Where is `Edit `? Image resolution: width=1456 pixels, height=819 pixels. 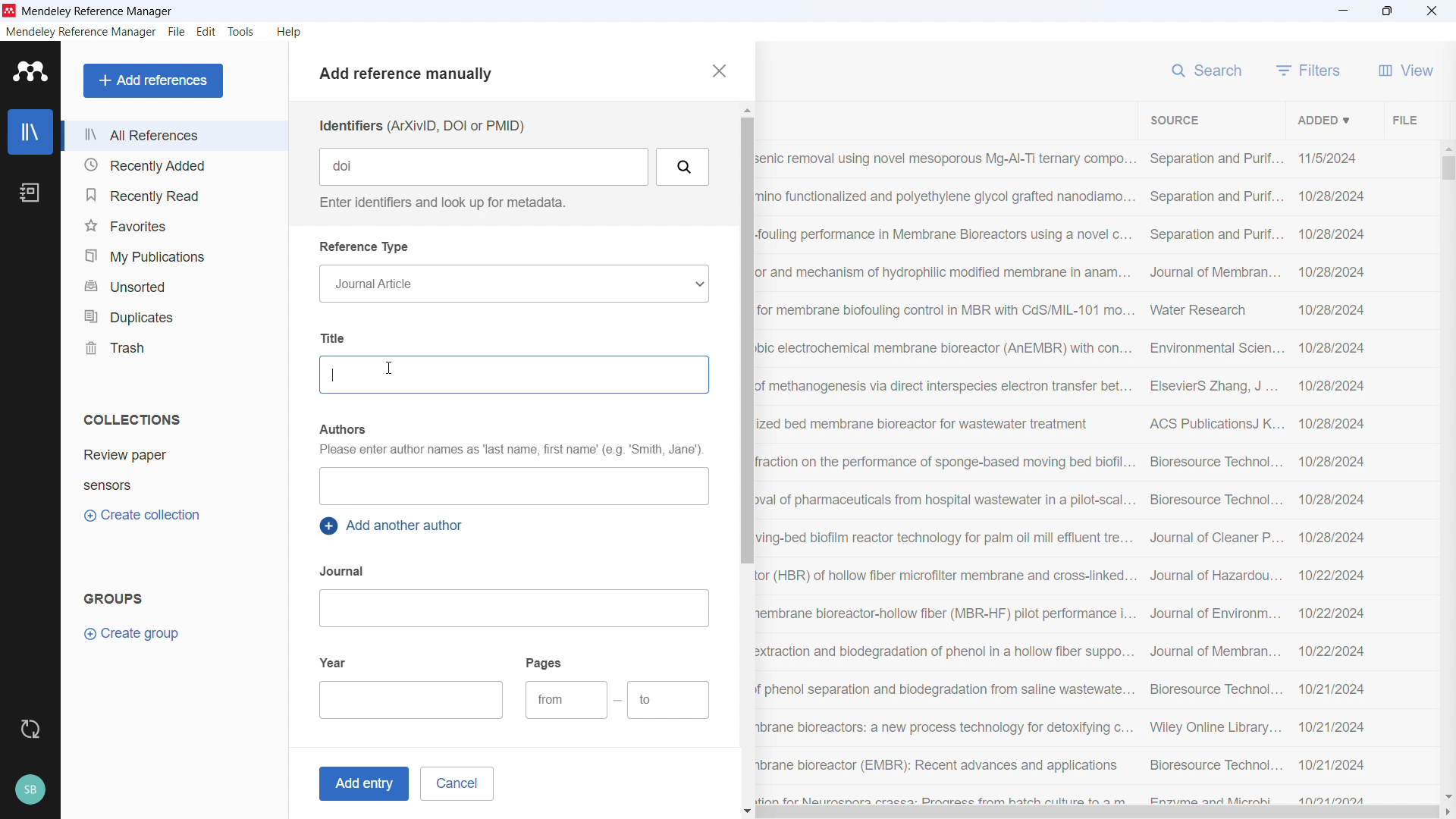
Edit  is located at coordinates (207, 32).